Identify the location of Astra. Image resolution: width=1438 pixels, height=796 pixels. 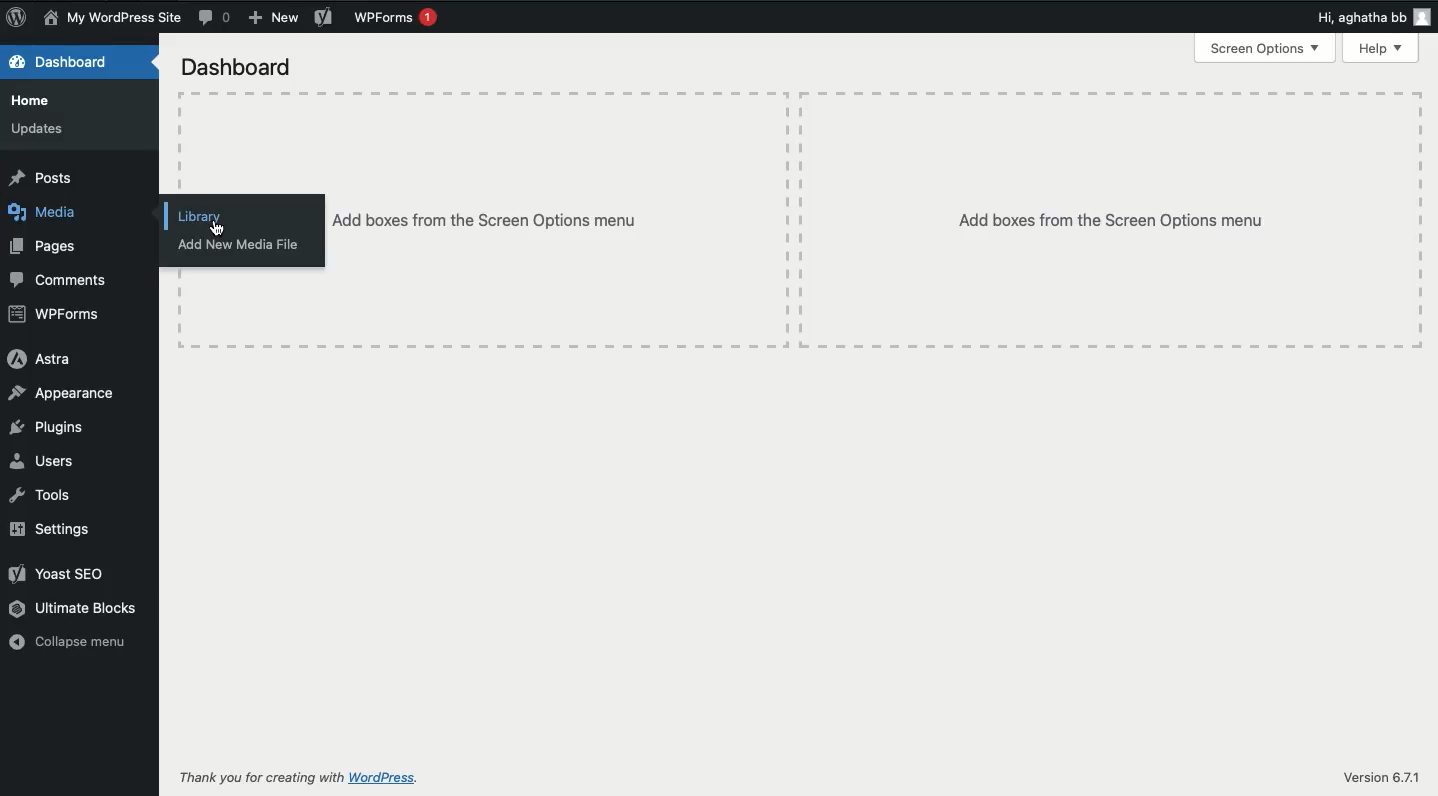
(38, 359).